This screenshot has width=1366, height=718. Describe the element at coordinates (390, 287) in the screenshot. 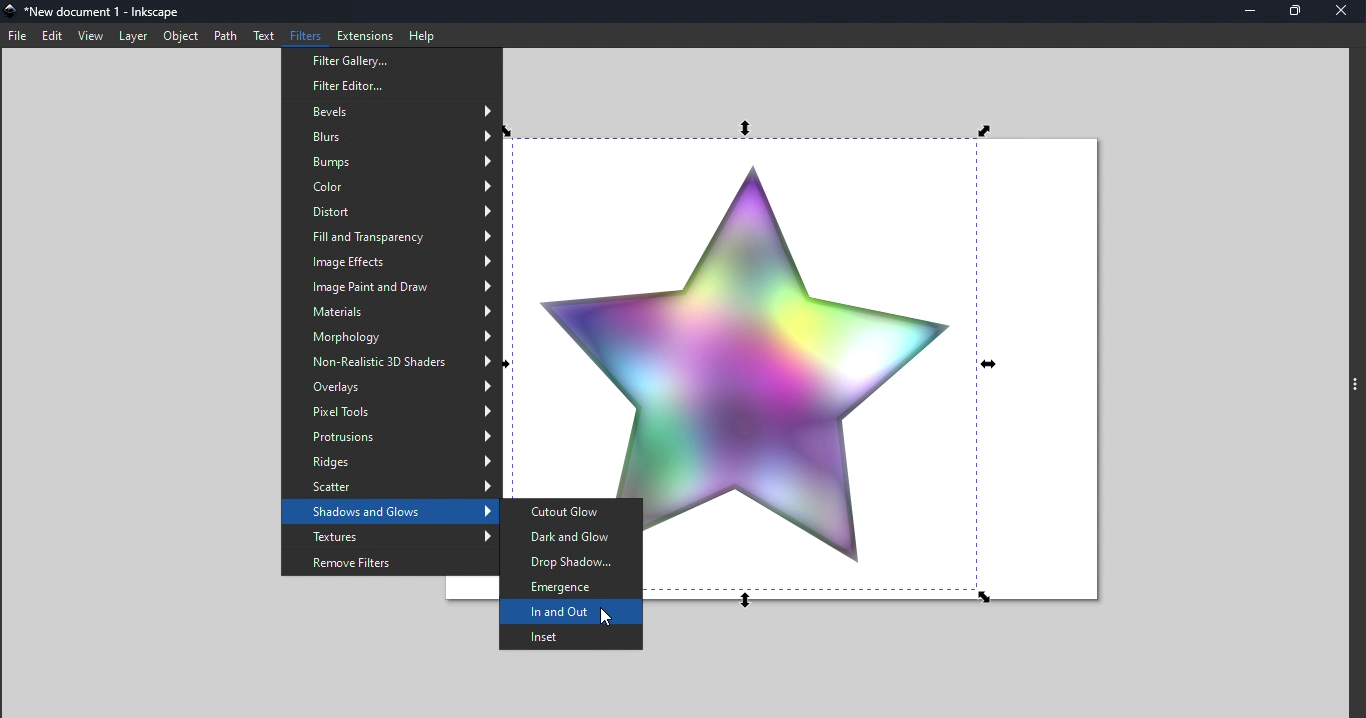

I see `Image paint and Draw` at that location.